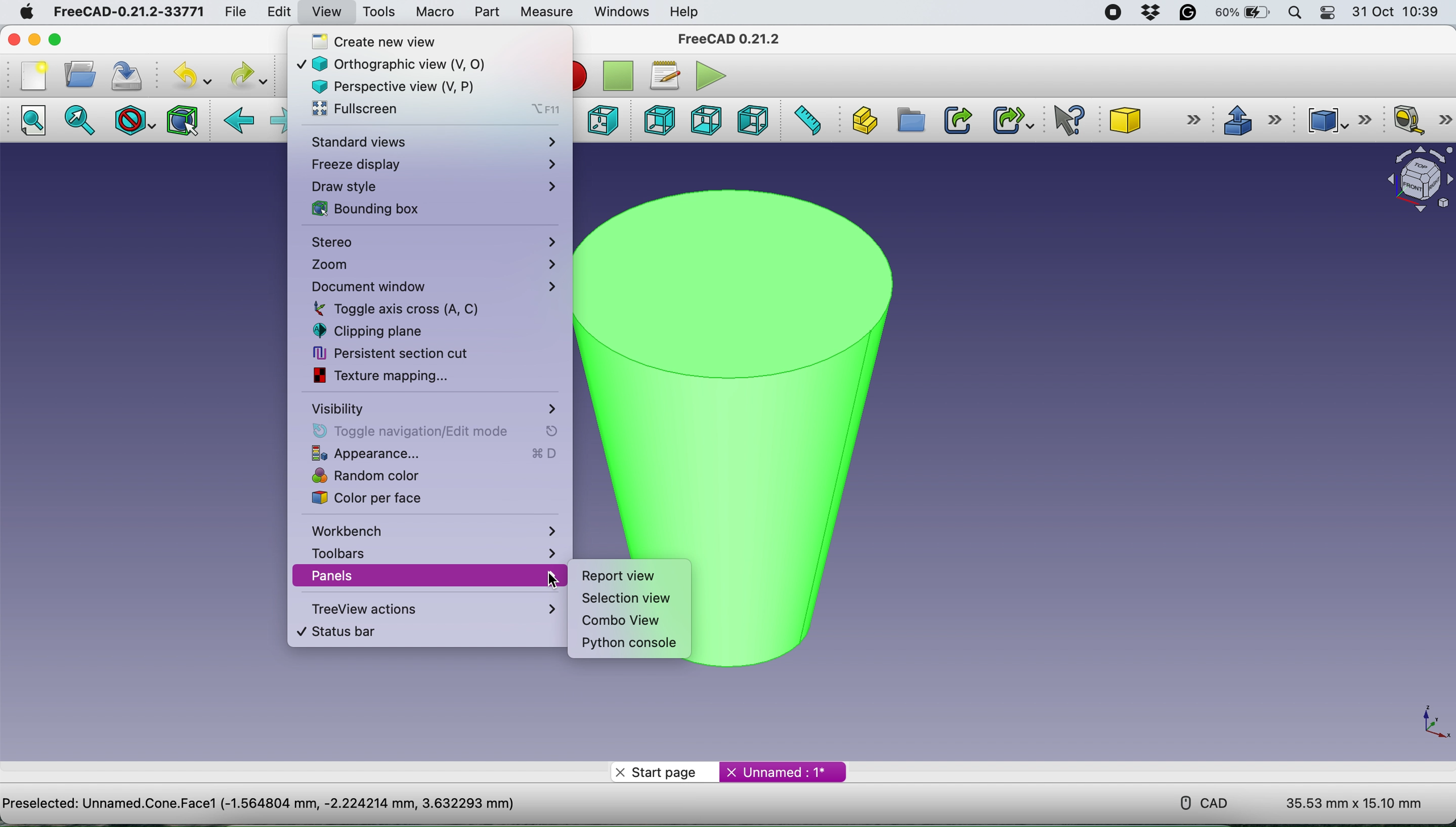 This screenshot has height=827, width=1456. What do you see at coordinates (551, 578) in the screenshot?
I see `cursor ` at bounding box center [551, 578].